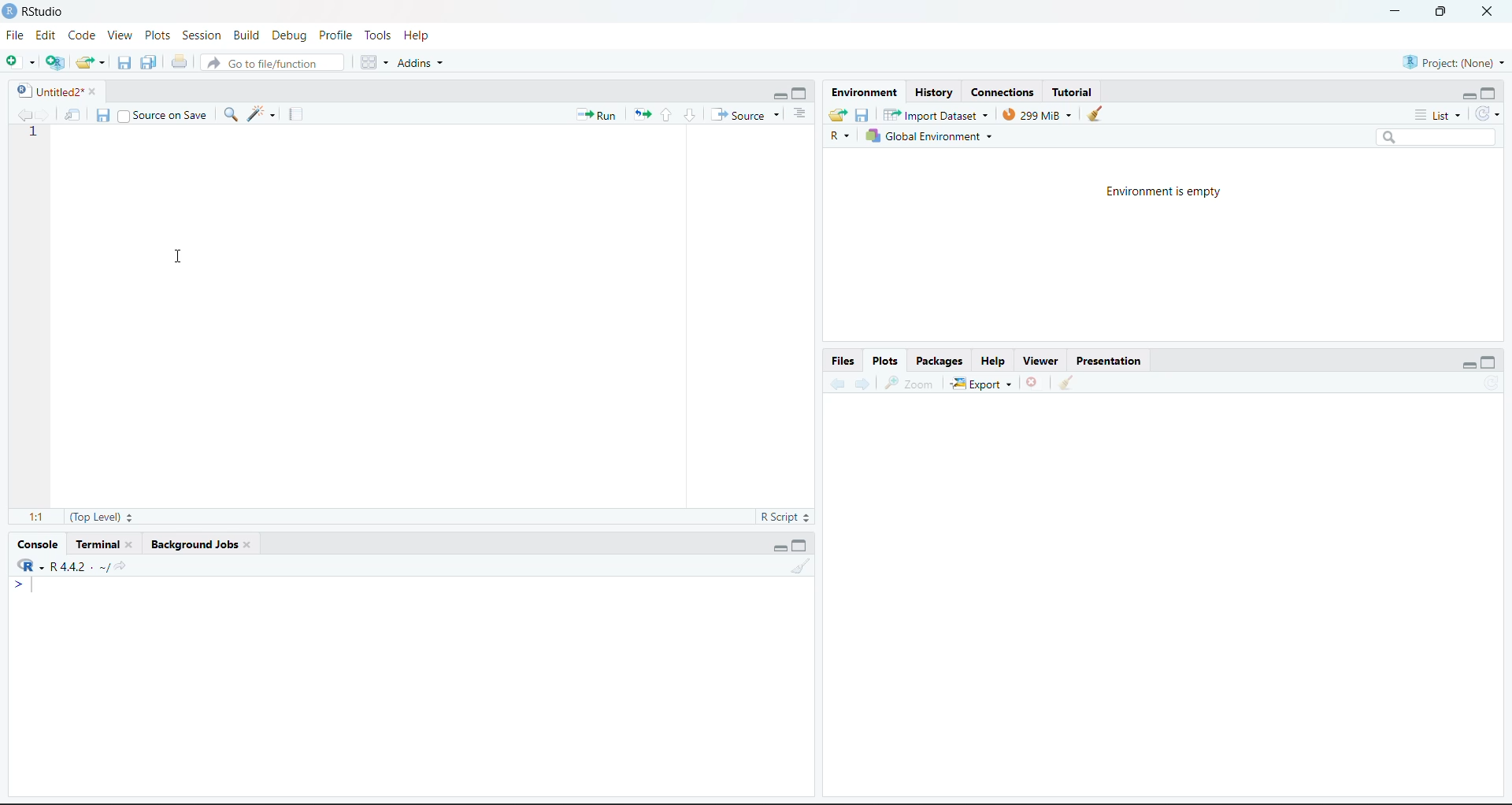 This screenshot has height=805, width=1512. Describe the element at coordinates (33, 133) in the screenshot. I see `line number` at that location.